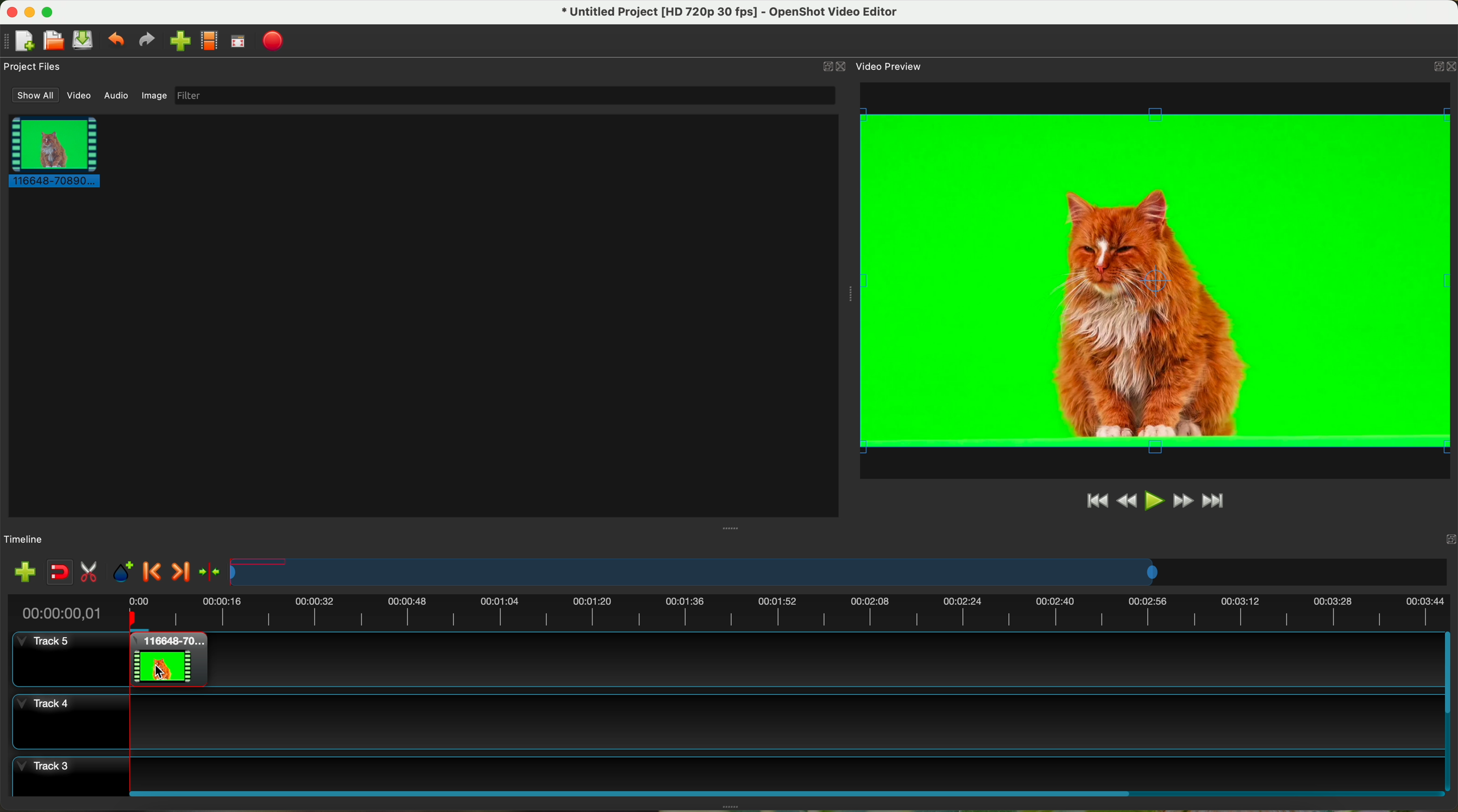 This screenshot has width=1458, height=812. I want to click on show all, so click(33, 95).